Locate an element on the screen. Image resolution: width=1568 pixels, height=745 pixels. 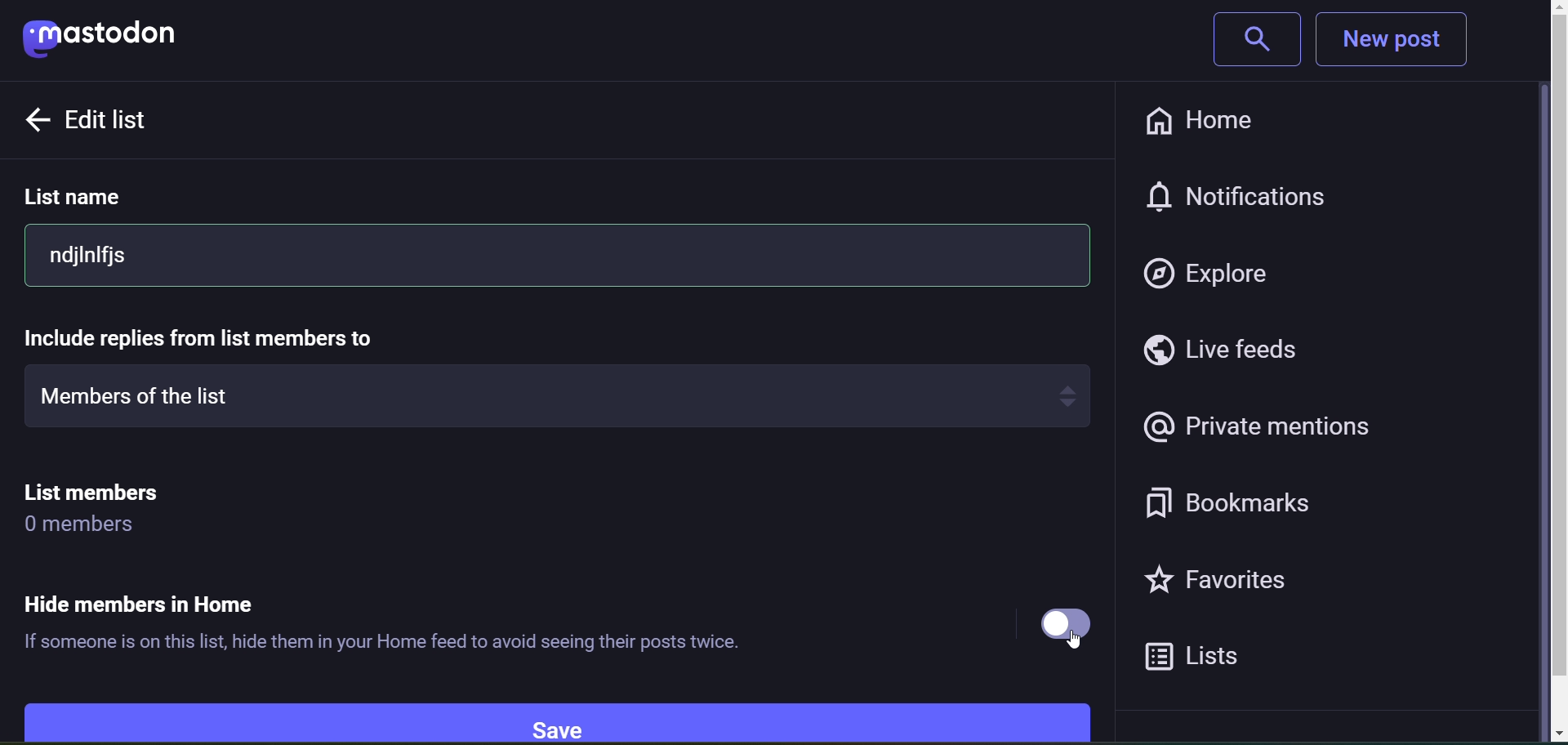
list name is located at coordinates (93, 199).